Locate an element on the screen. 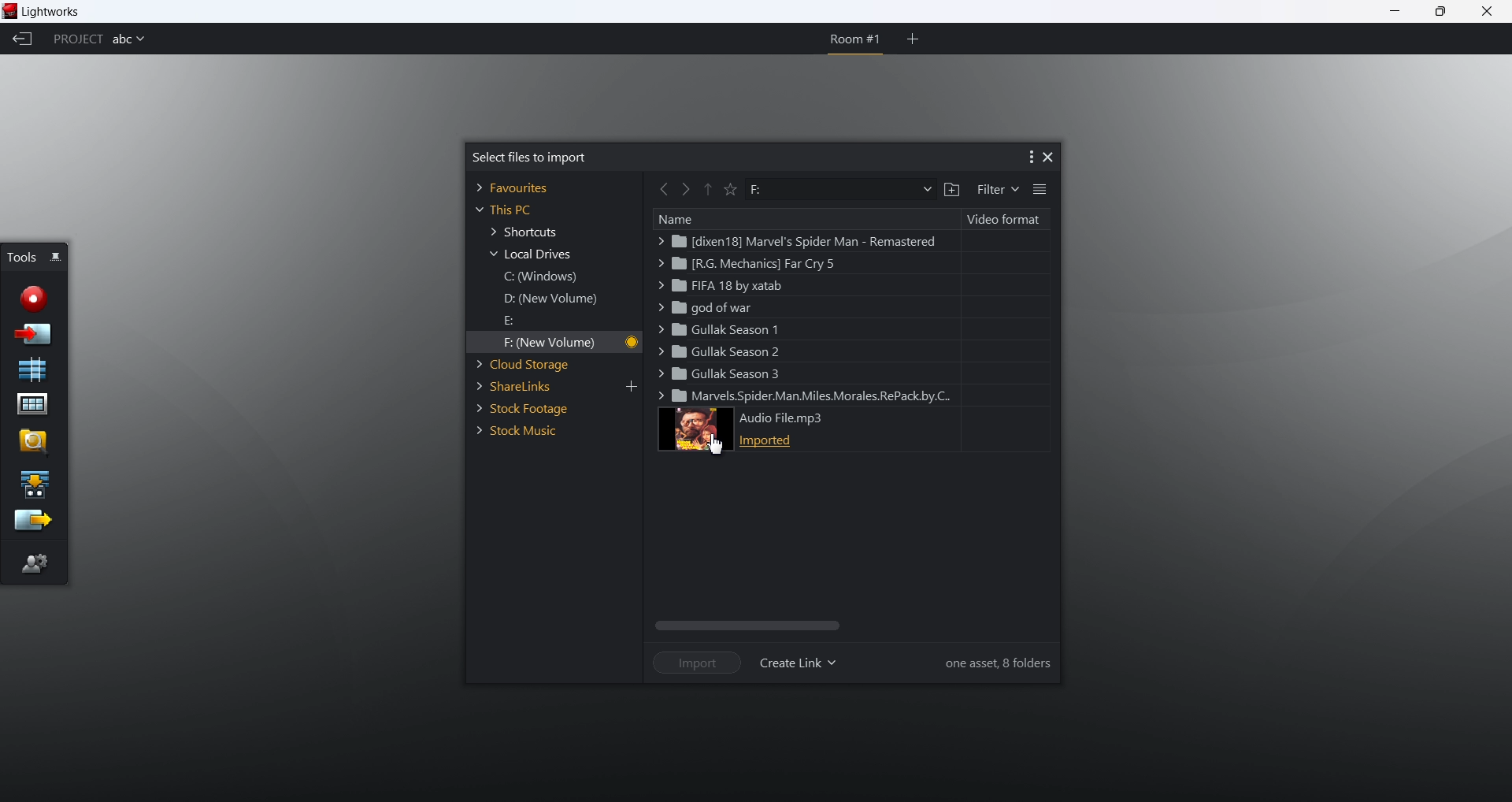  F new volume is located at coordinates (564, 343).